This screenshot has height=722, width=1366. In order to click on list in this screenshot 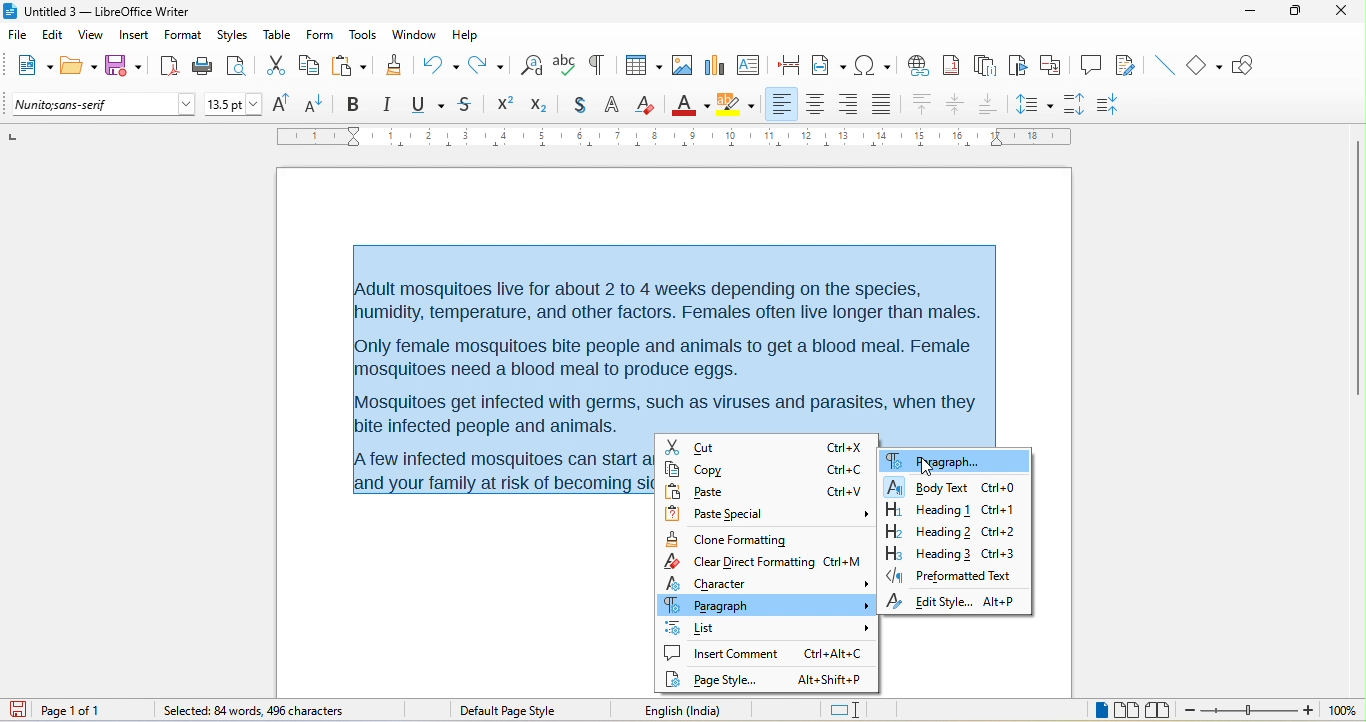, I will do `click(767, 627)`.